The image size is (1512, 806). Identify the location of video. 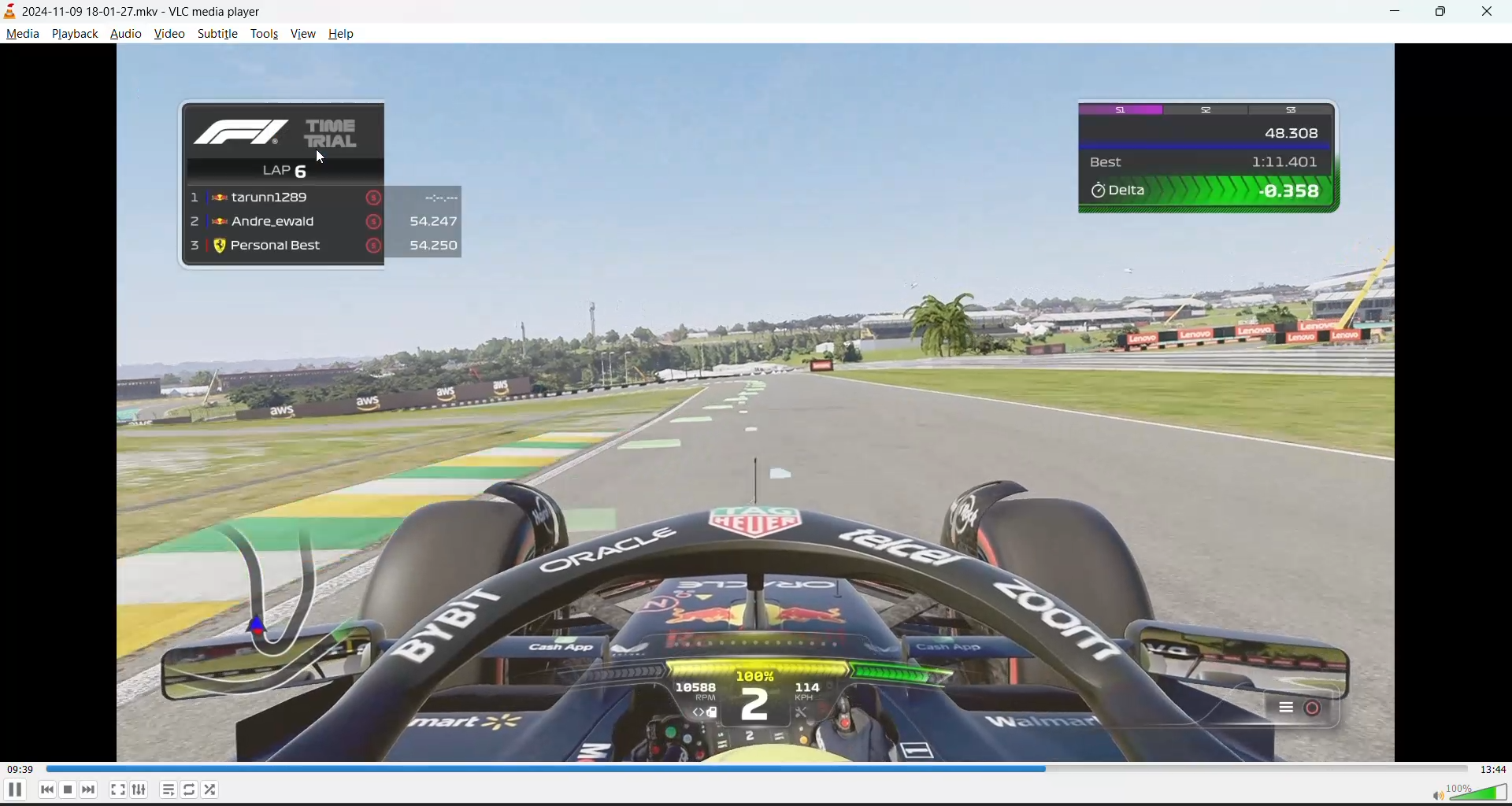
(169, 35).